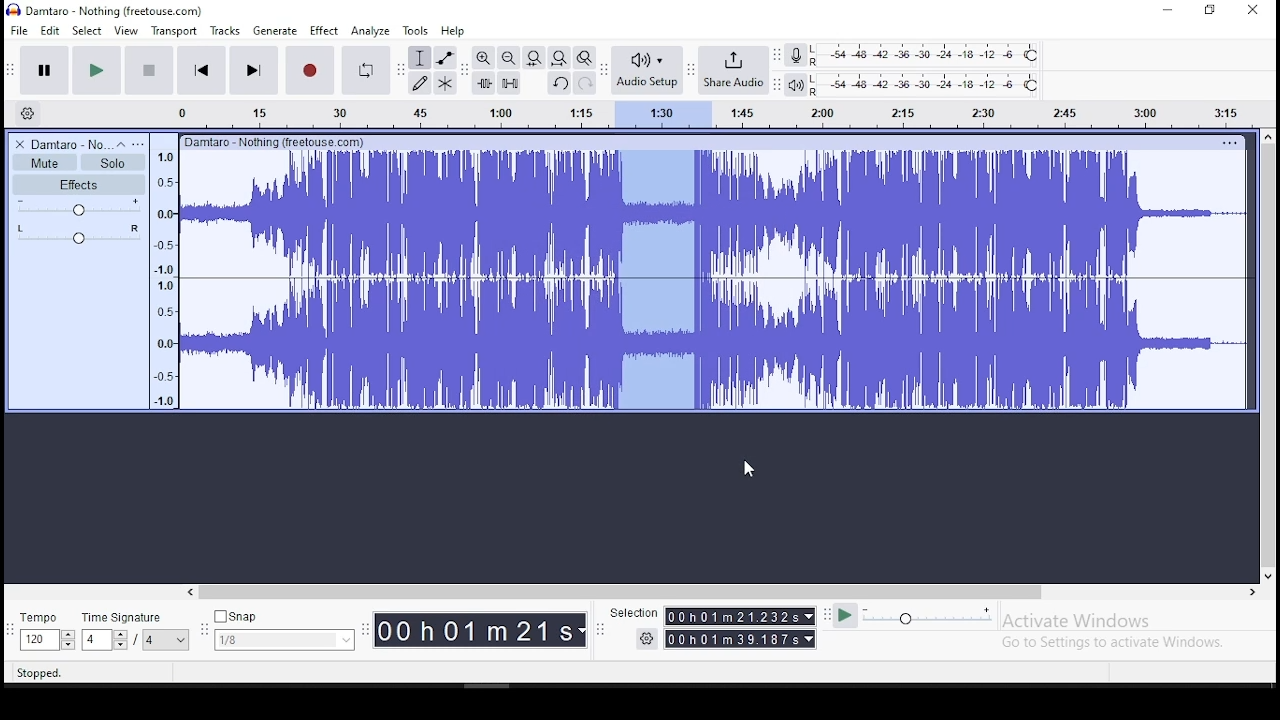 This screenshot has width=1280, height=720. I want to click on , so click(164, 279).